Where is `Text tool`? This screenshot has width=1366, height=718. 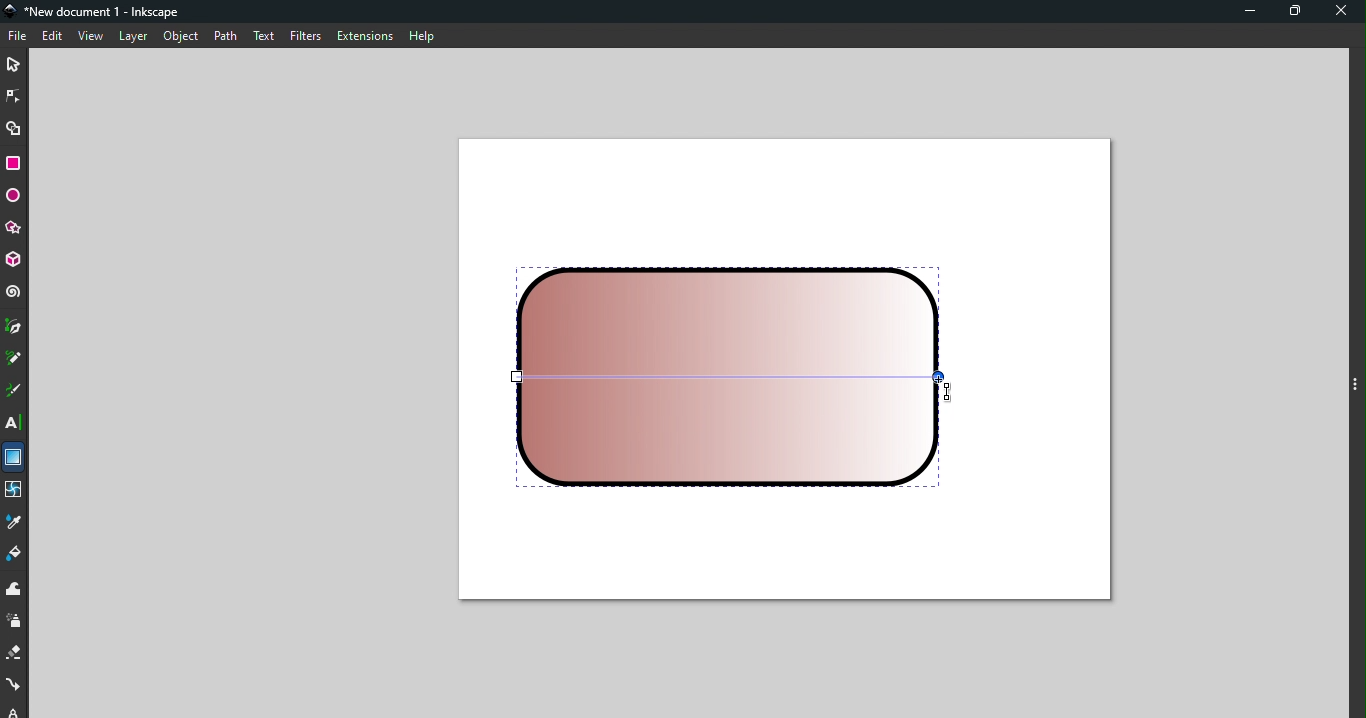
Text tool is located at coordinates (15, 423).